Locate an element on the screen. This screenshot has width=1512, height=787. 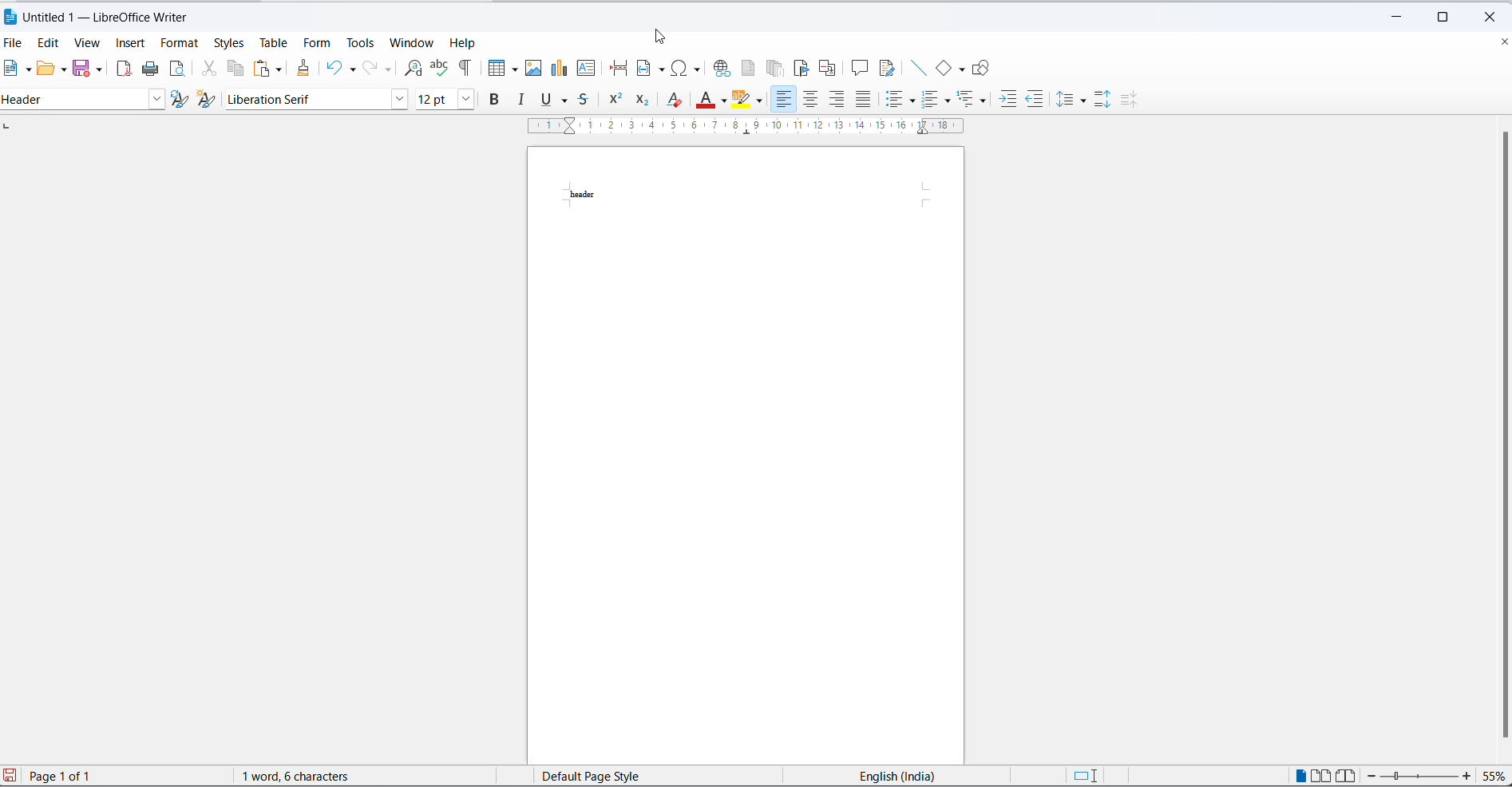
export as pdf is located at coordinates (121, 69).